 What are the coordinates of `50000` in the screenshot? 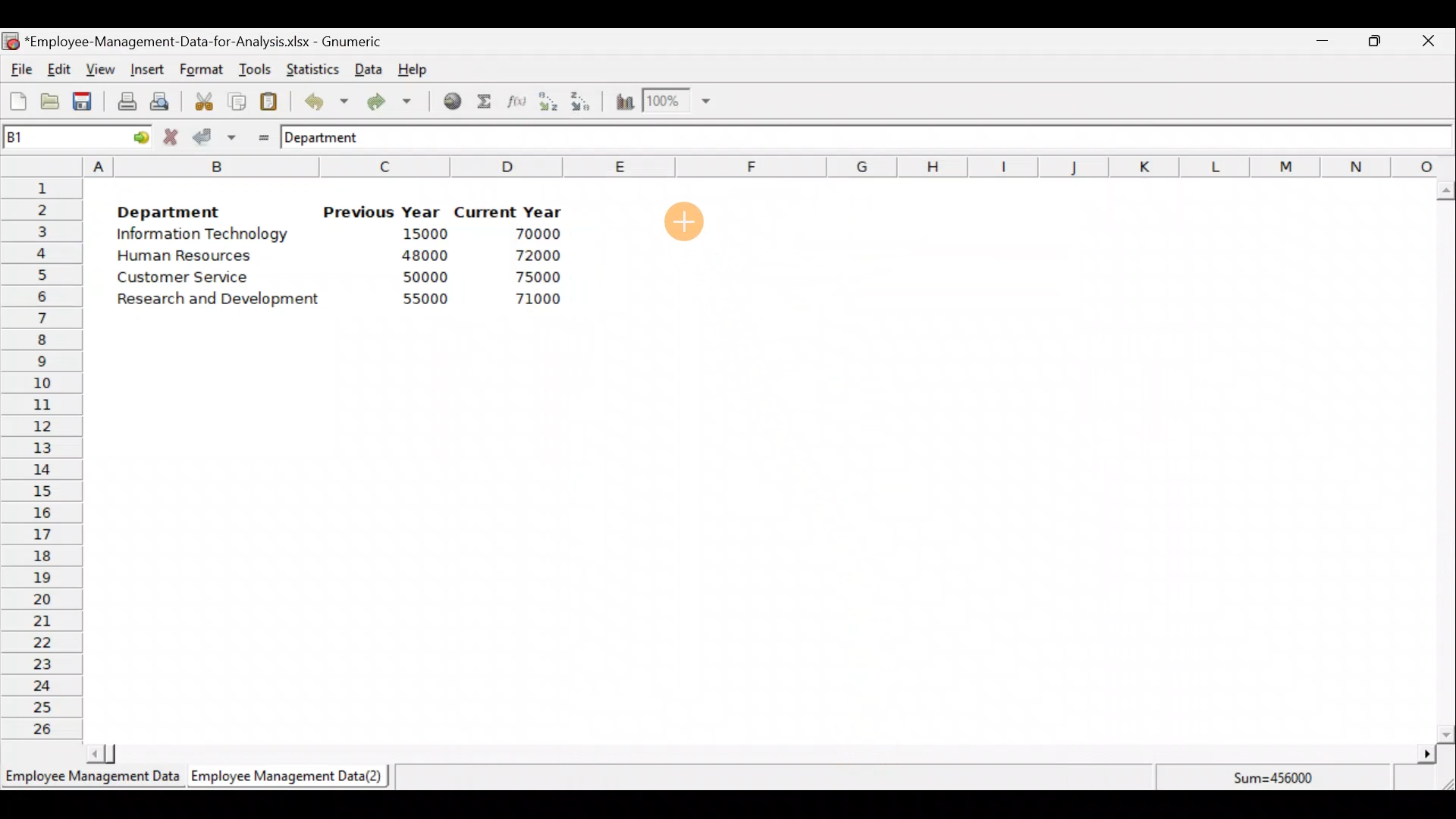 It's located at (429, 277).